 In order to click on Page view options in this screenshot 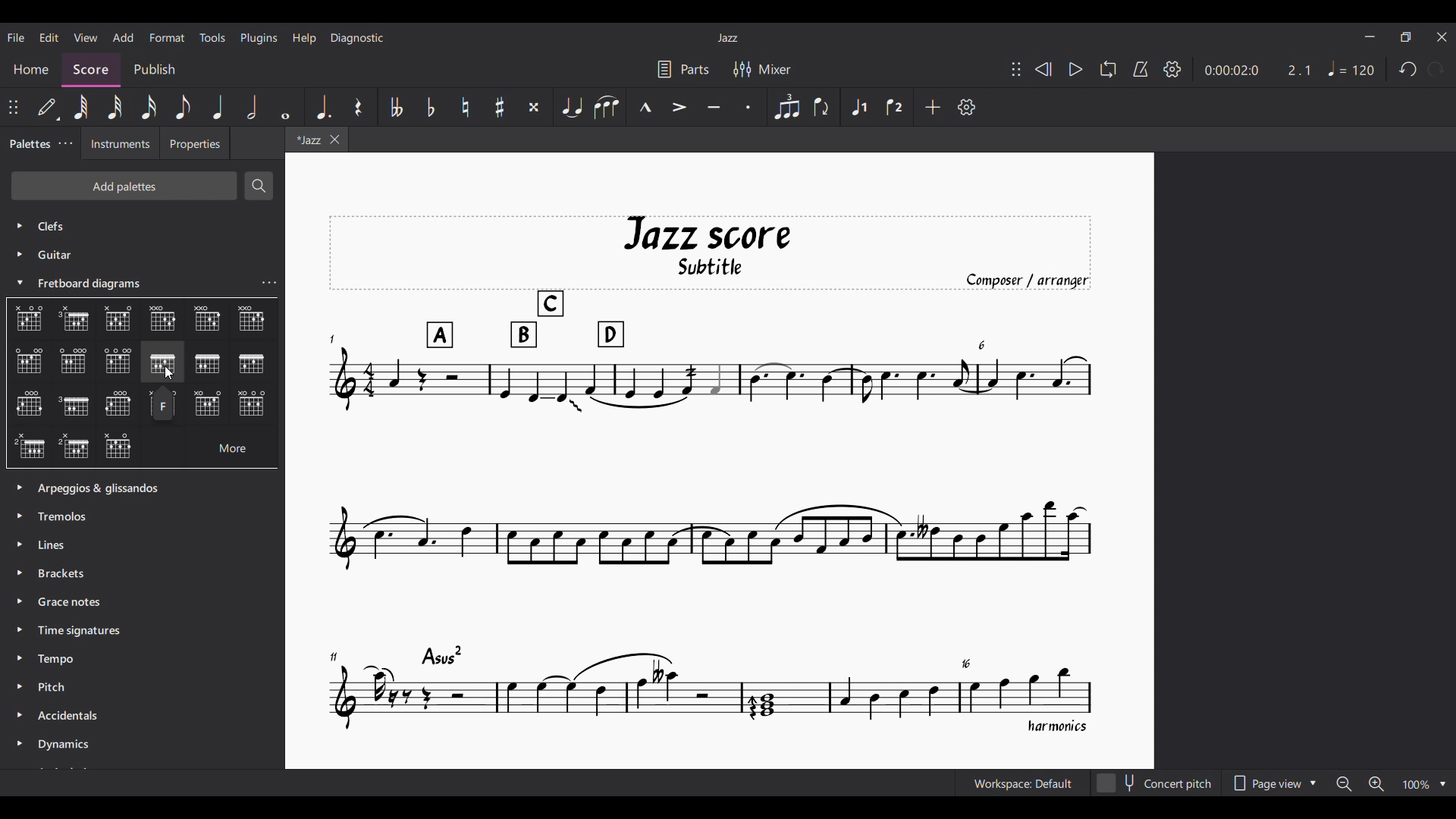, I will do `click(1272, 783)`.